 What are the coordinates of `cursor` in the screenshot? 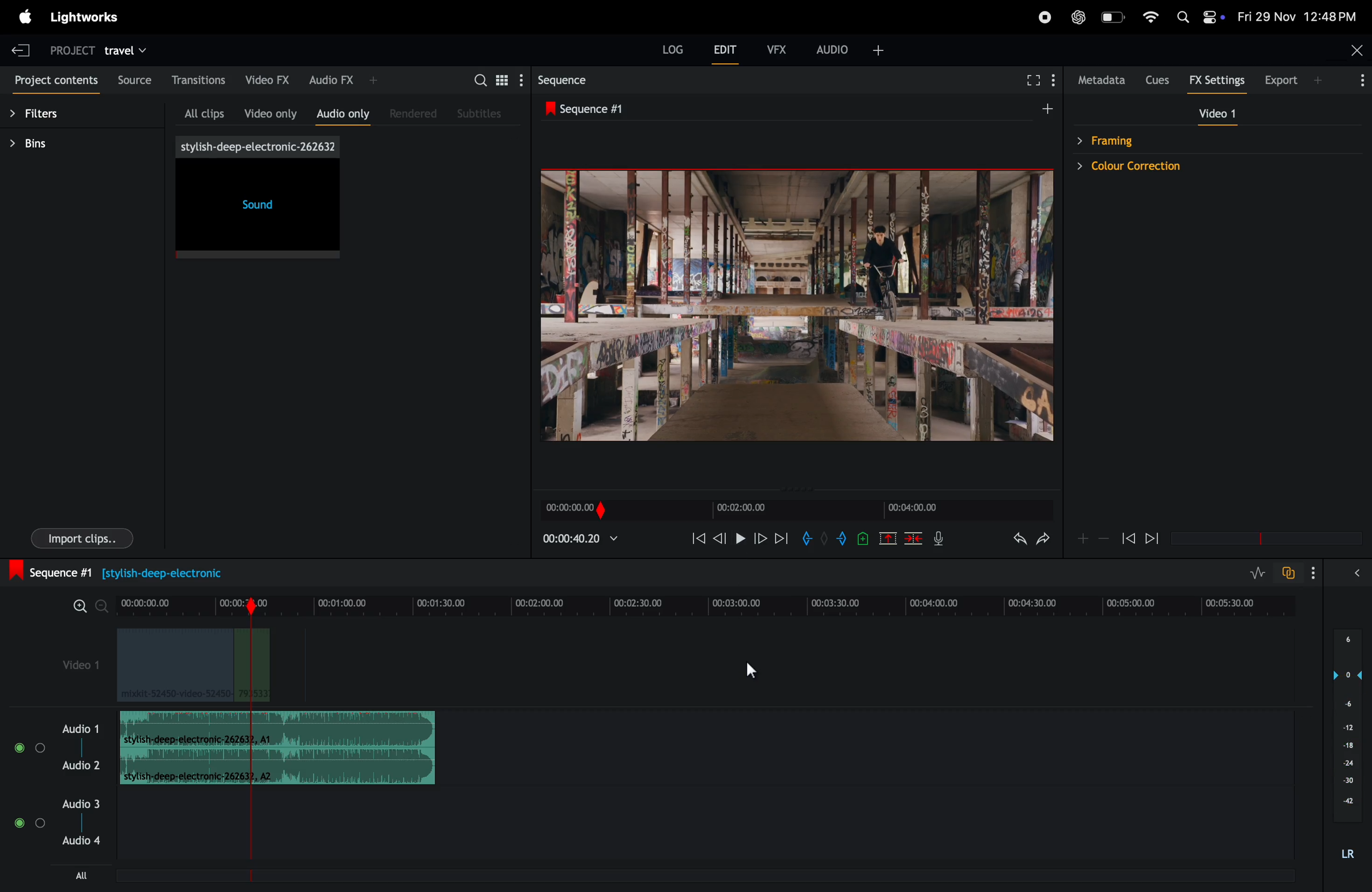 It's located at (754, 670).